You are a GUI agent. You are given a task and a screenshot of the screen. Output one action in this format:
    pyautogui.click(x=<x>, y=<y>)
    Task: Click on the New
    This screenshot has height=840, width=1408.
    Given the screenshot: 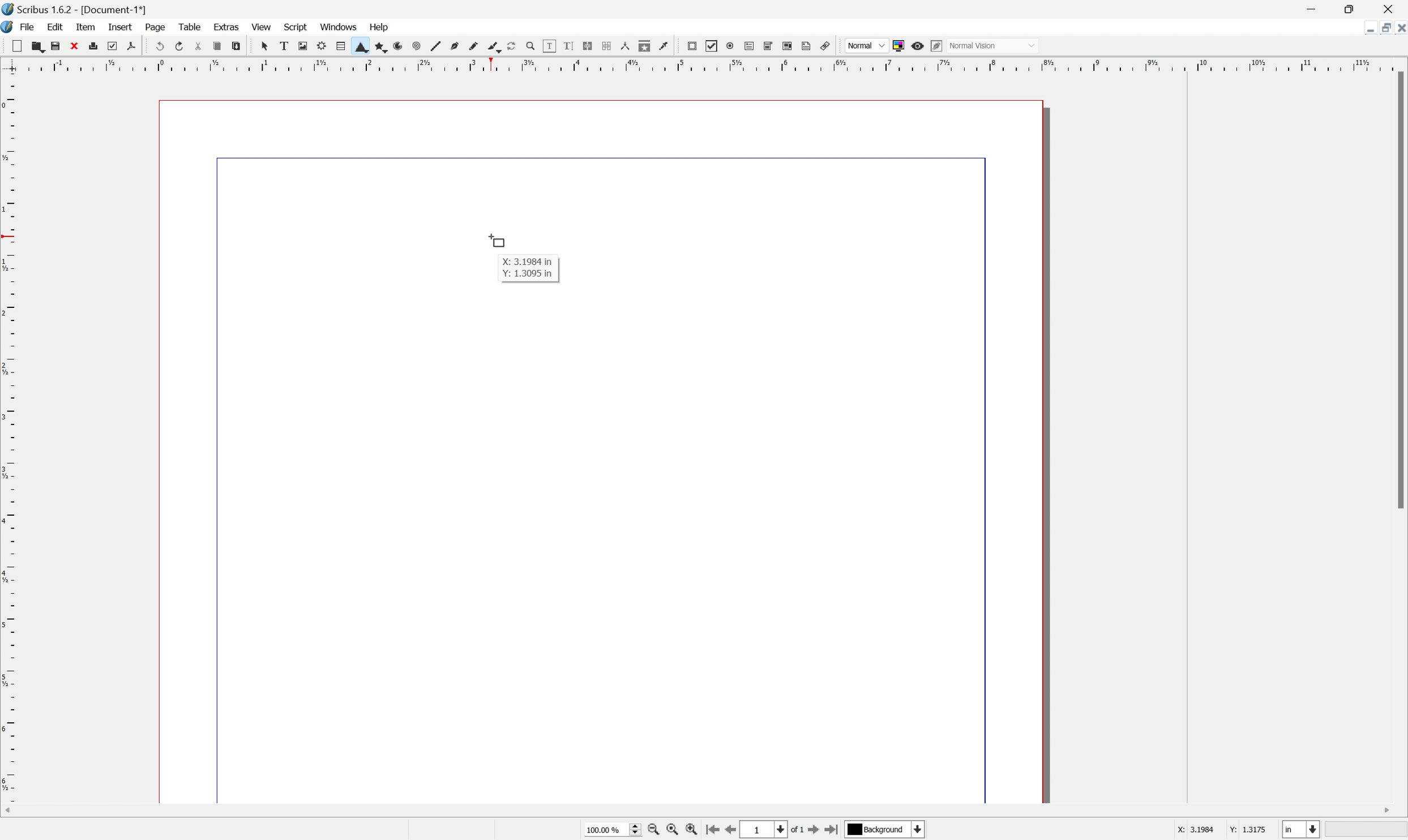 What is the action you would take?
    pyautogui.click(x=16, y=46)
    